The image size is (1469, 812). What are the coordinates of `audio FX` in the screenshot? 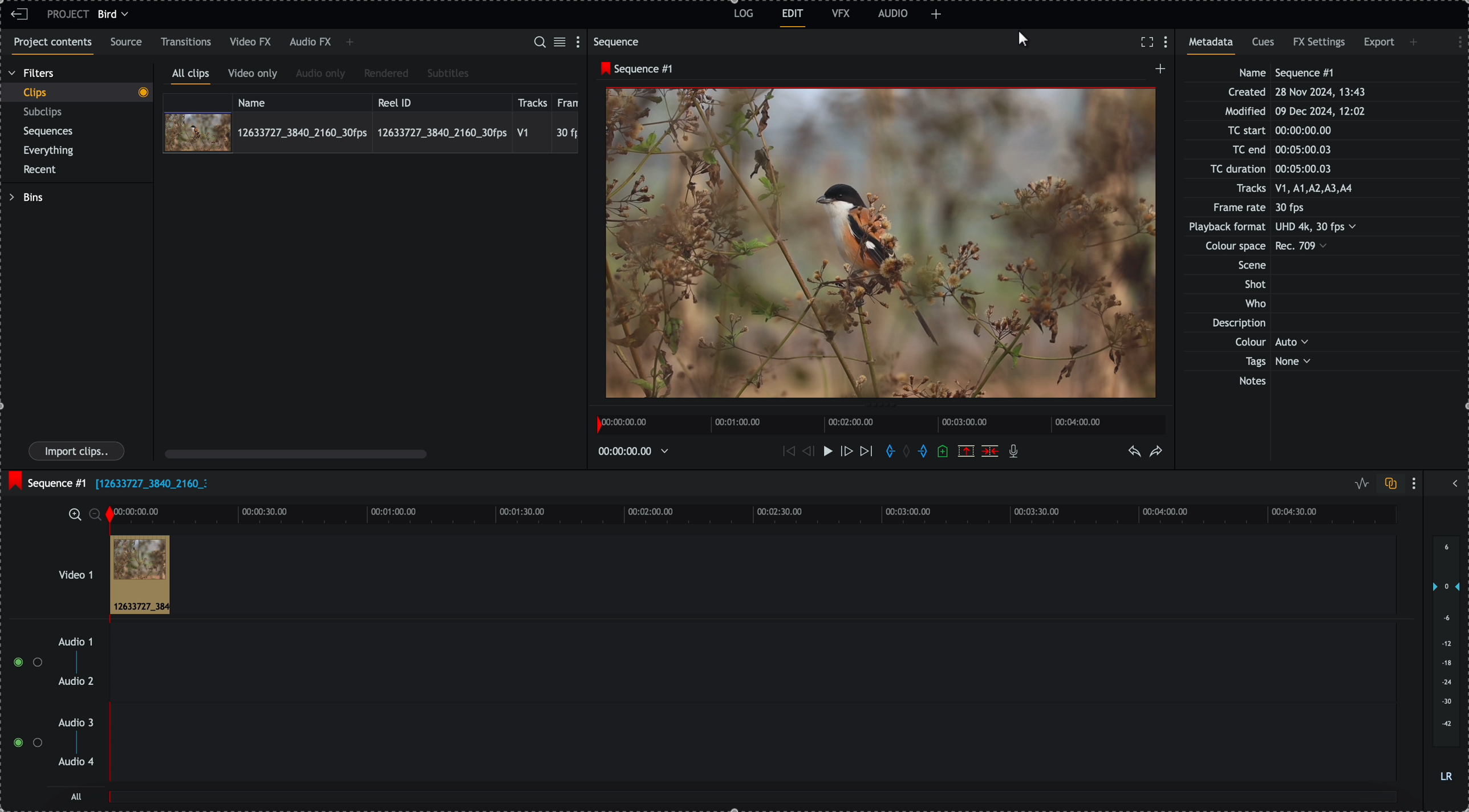 It's located at (310, 43).